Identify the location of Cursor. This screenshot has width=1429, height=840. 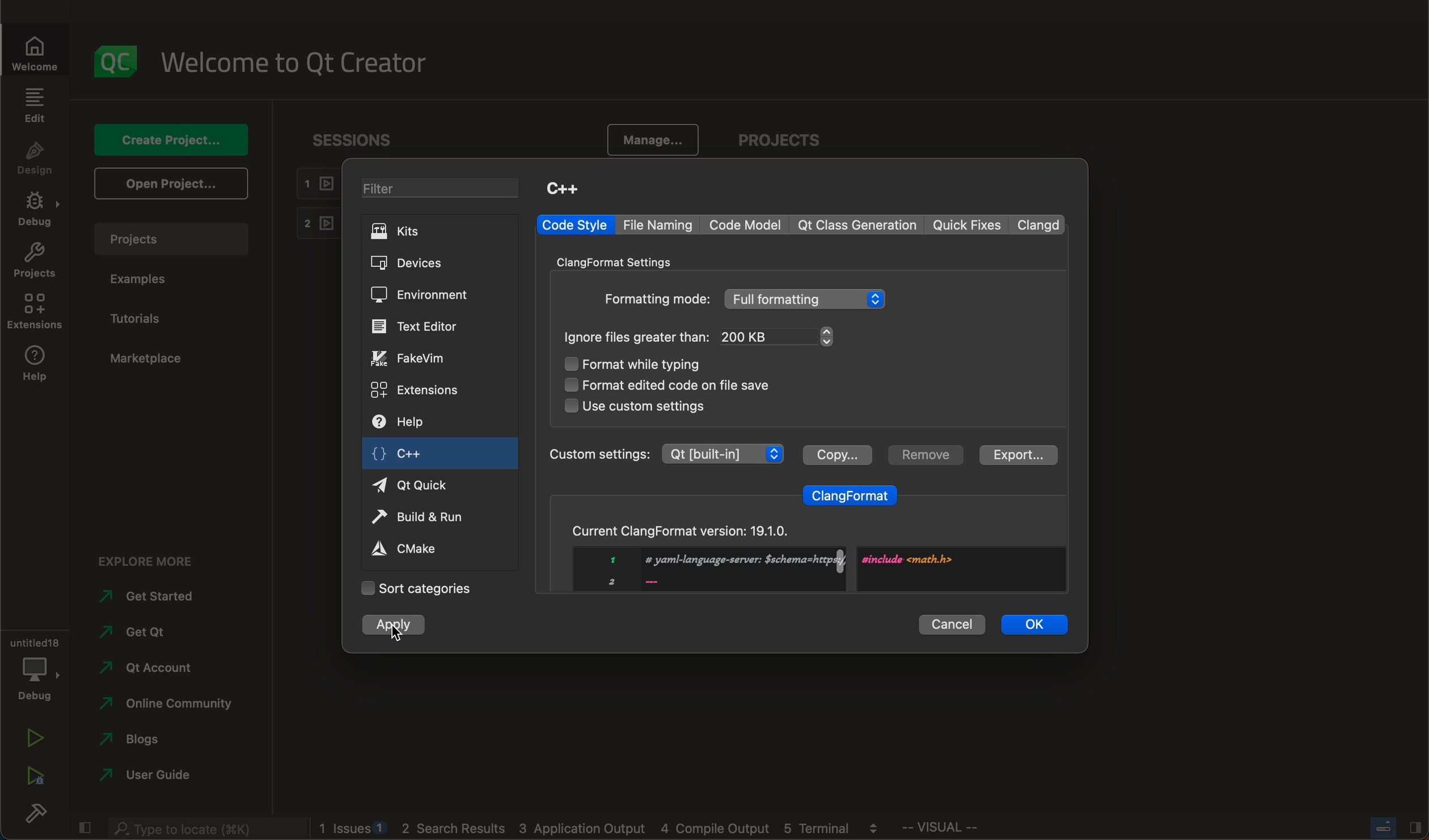
(396, 633).